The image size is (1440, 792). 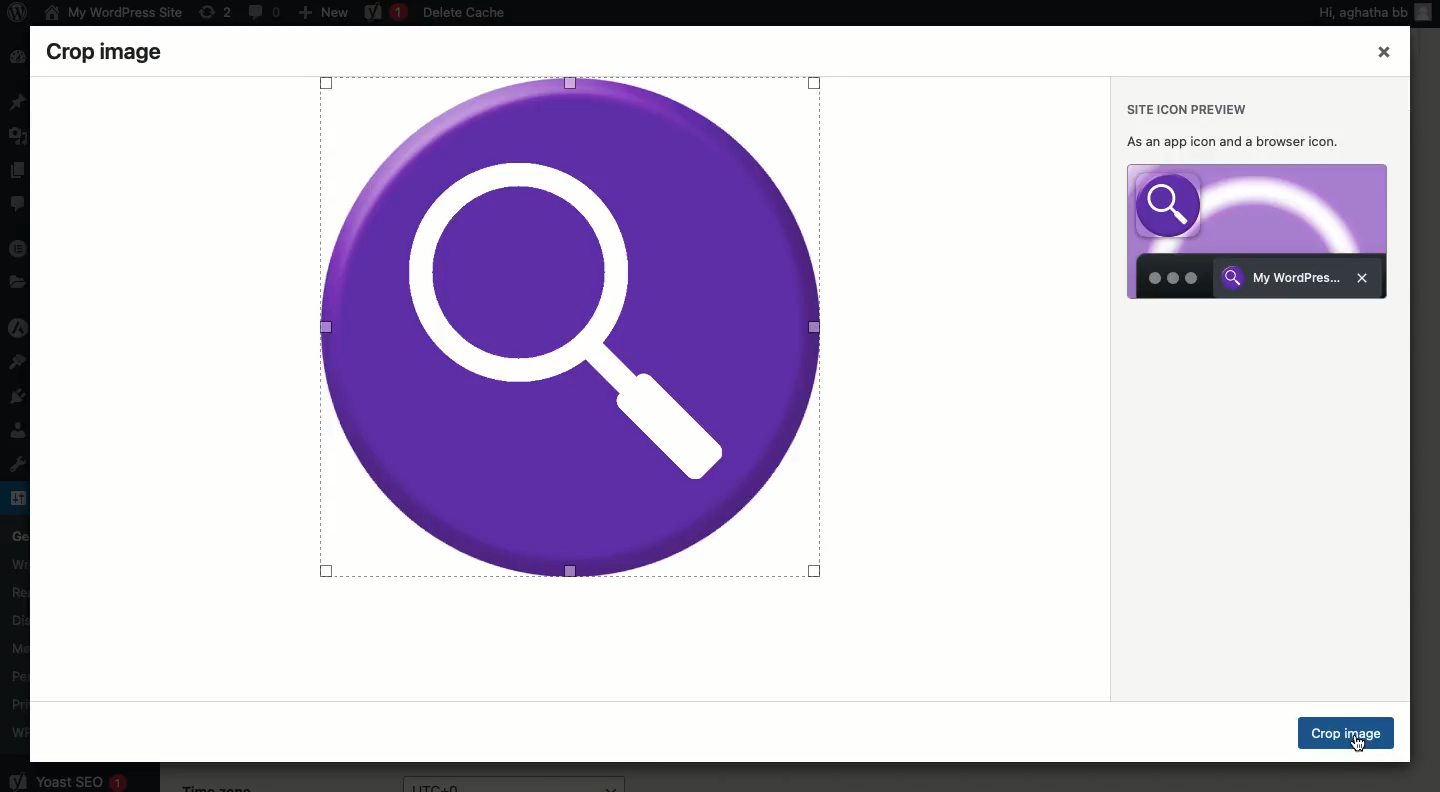 I want to click on Comment (0), so click(x=263, y=11).